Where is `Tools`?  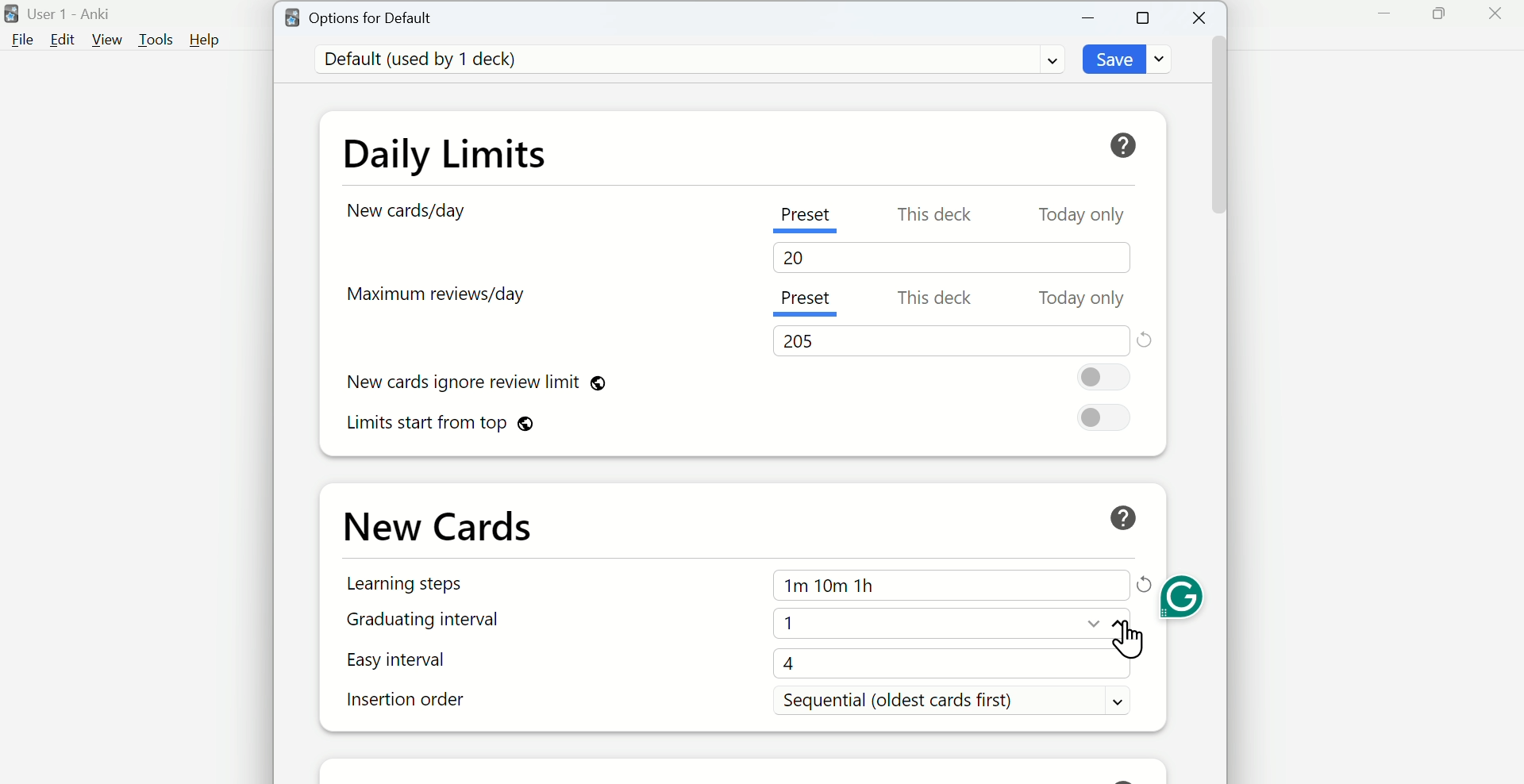 Tools is located at coordinates (155, 40).